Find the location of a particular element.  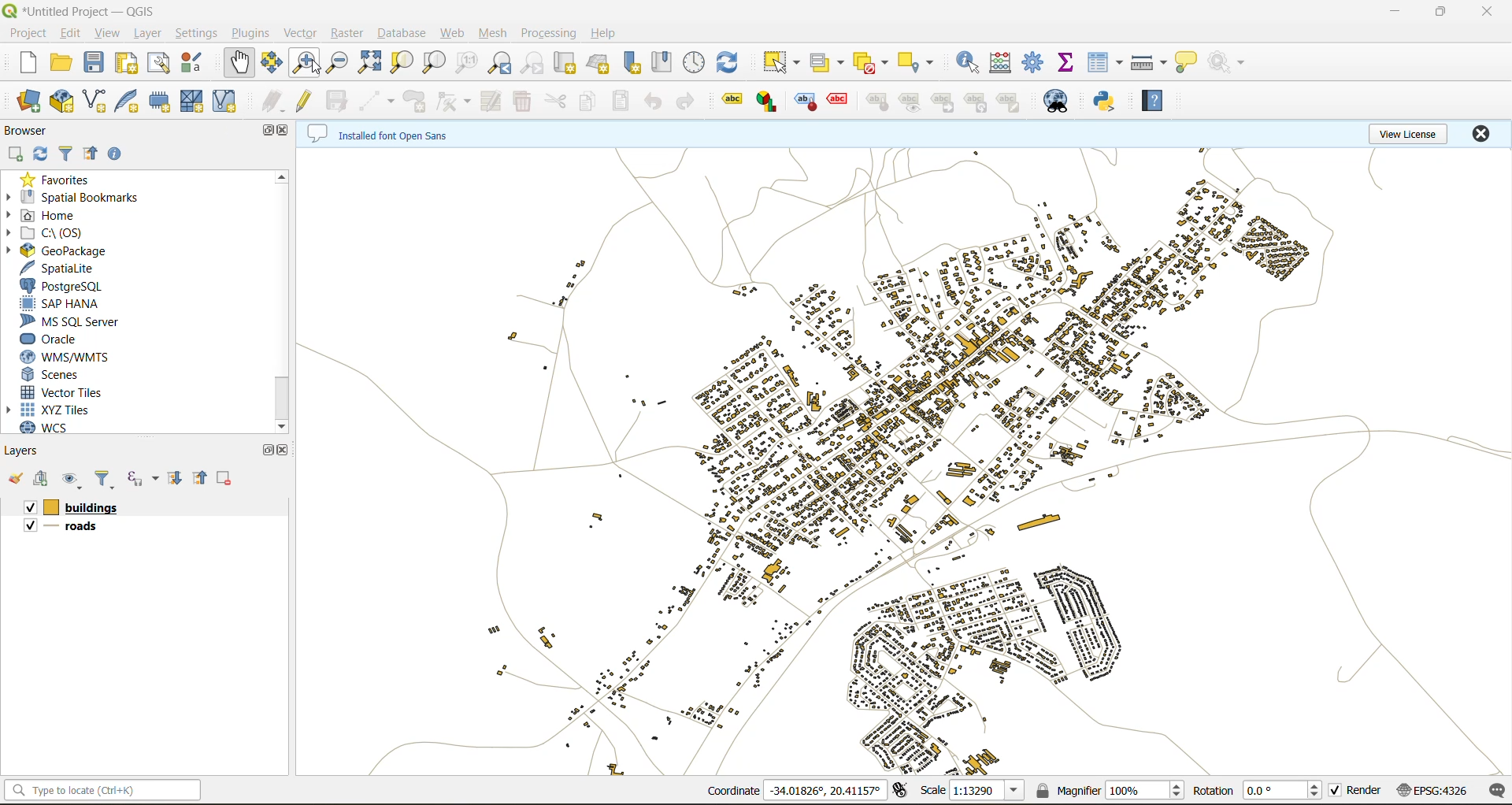

toolbox is located at coordinates (1036, 63).